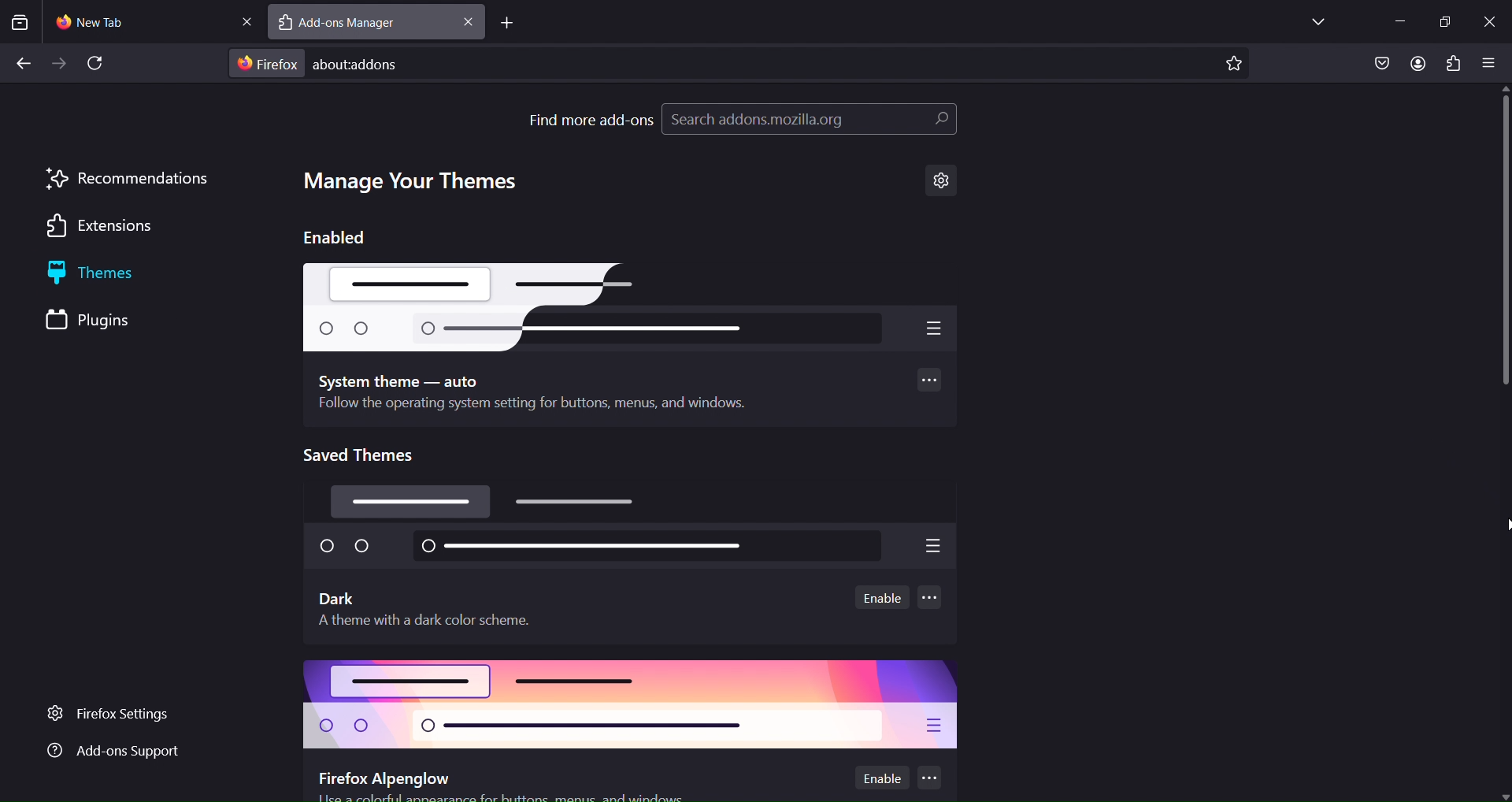 The height and width of the screenshot is (802, 1512). Describe the element at coordinates (335, 236) in the screenshot. I see `enabled` at that location.